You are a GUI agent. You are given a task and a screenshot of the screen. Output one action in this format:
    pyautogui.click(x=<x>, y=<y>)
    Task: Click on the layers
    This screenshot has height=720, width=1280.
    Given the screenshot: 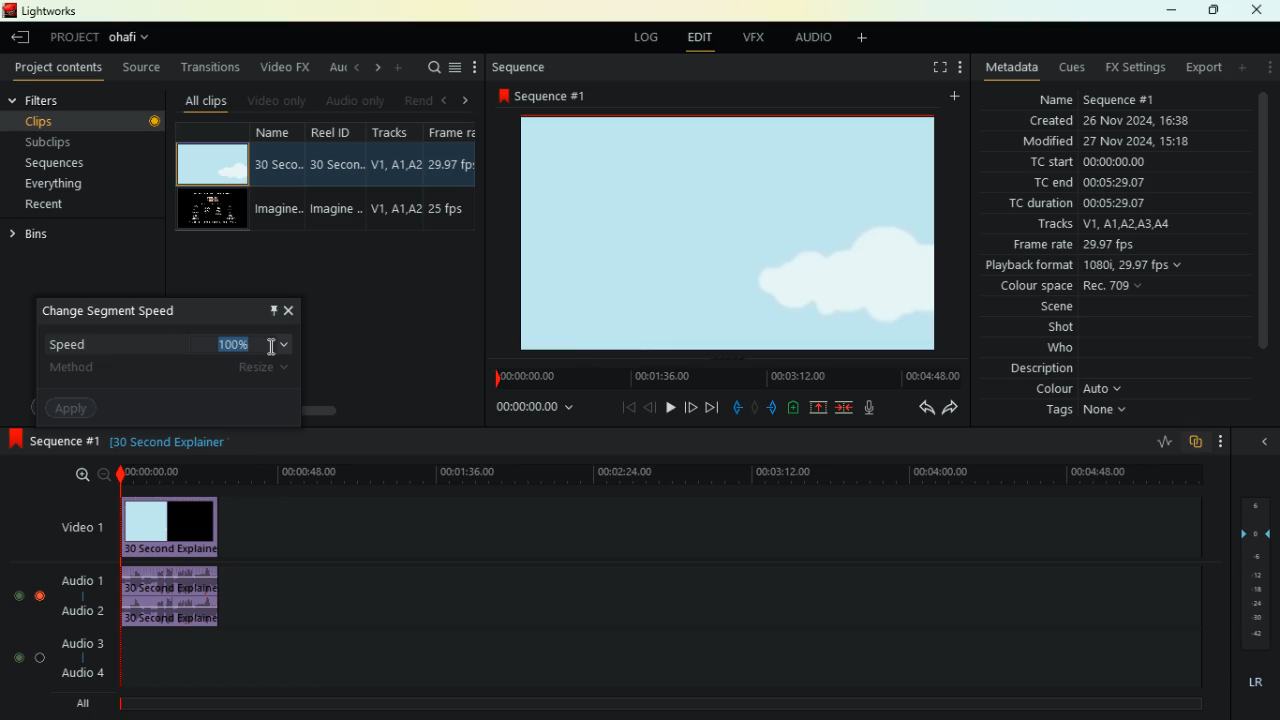 What is the action you would take?
    pyautogui.click(x=1252, y=573)
    